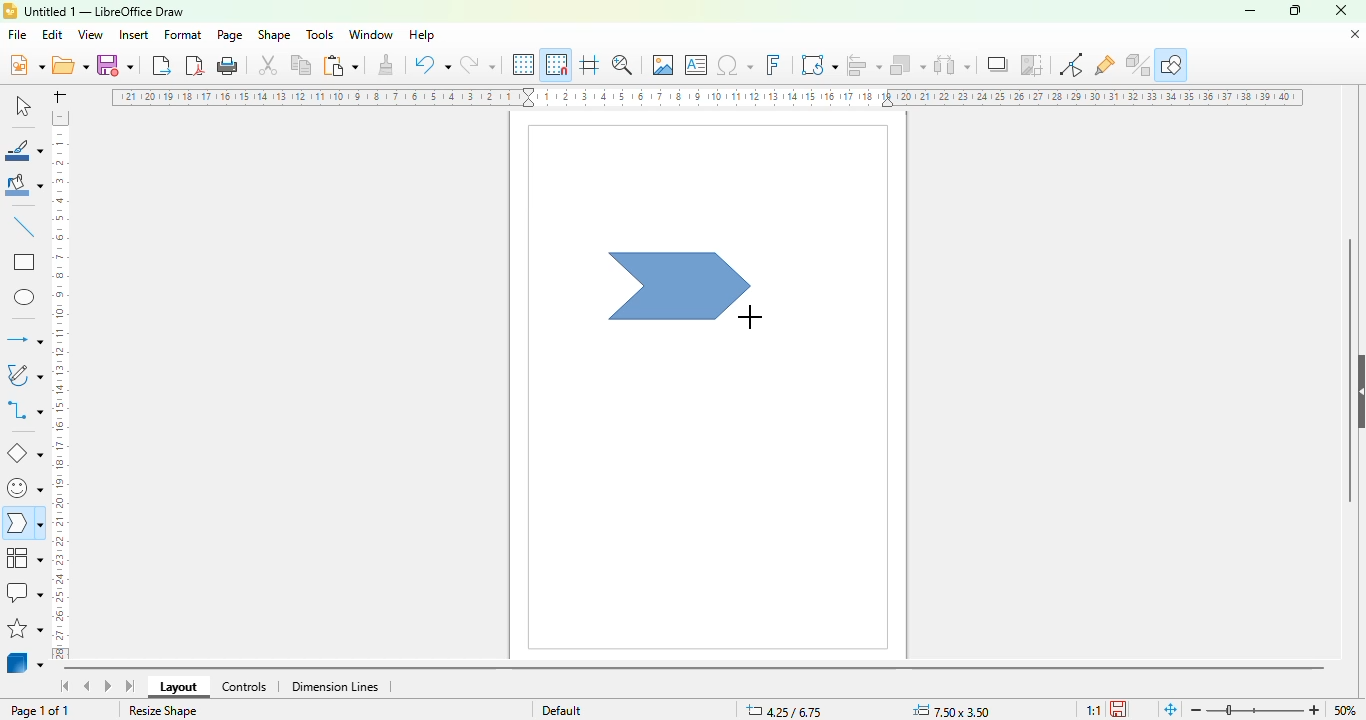 The height and width of the screenshot is (720, 1366). Describe the element at coordinates (1197, 710) in the screenshot. I see `zoom out` at that location.